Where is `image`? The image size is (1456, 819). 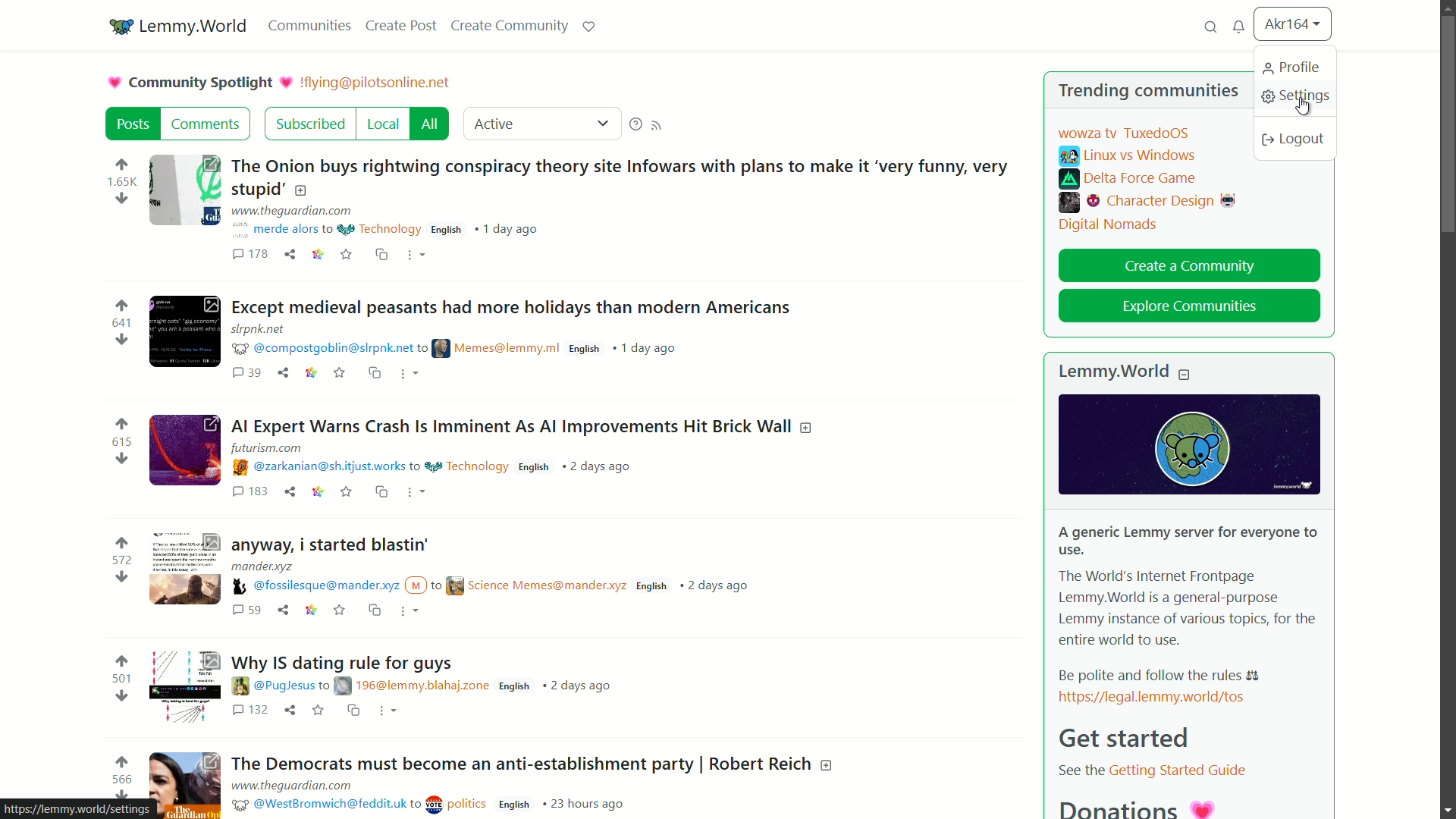
image is located at coordinates (187, 190).